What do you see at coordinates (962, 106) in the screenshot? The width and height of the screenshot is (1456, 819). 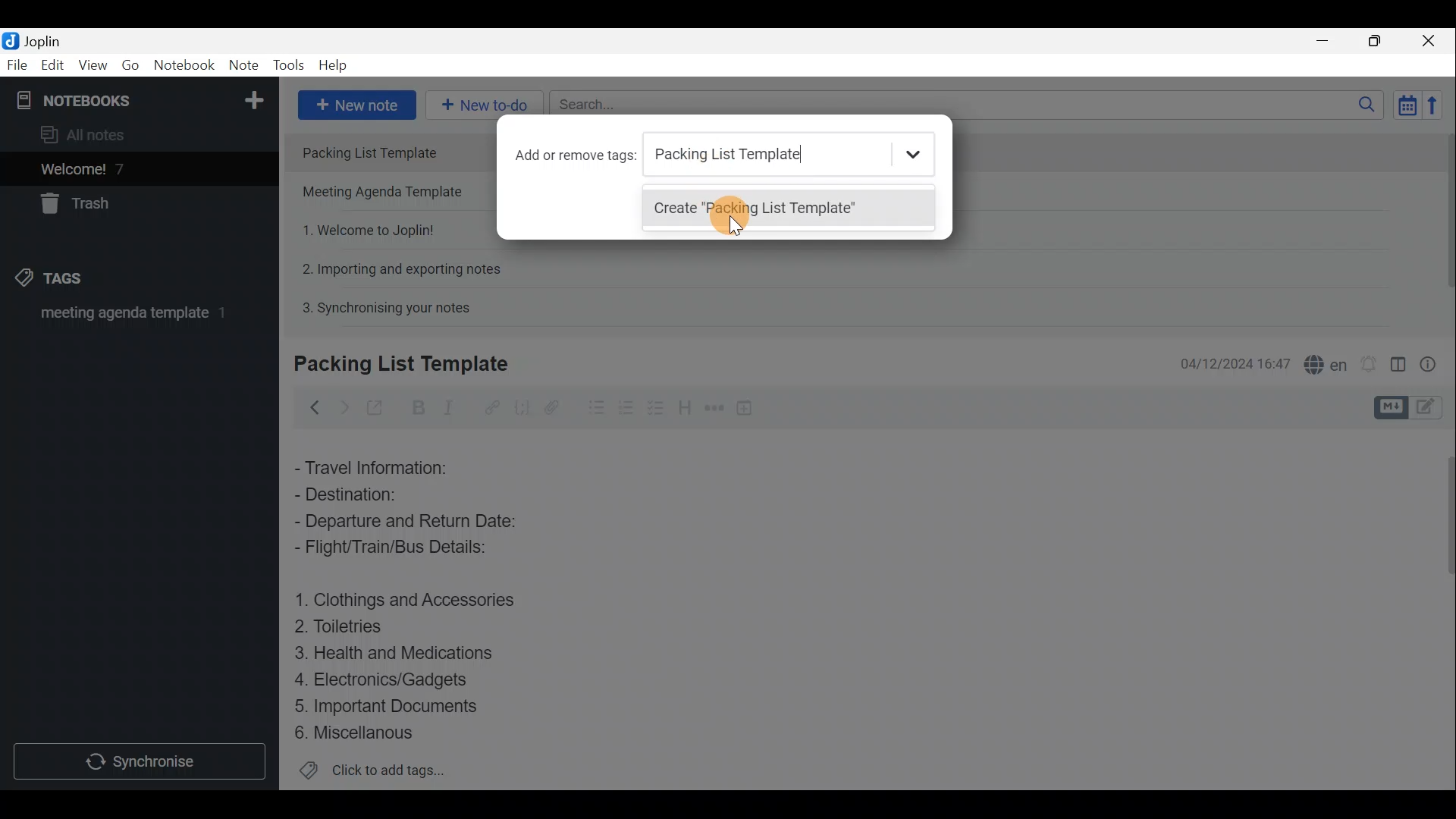 I see `Search bar` at bounding box center [962, 106].